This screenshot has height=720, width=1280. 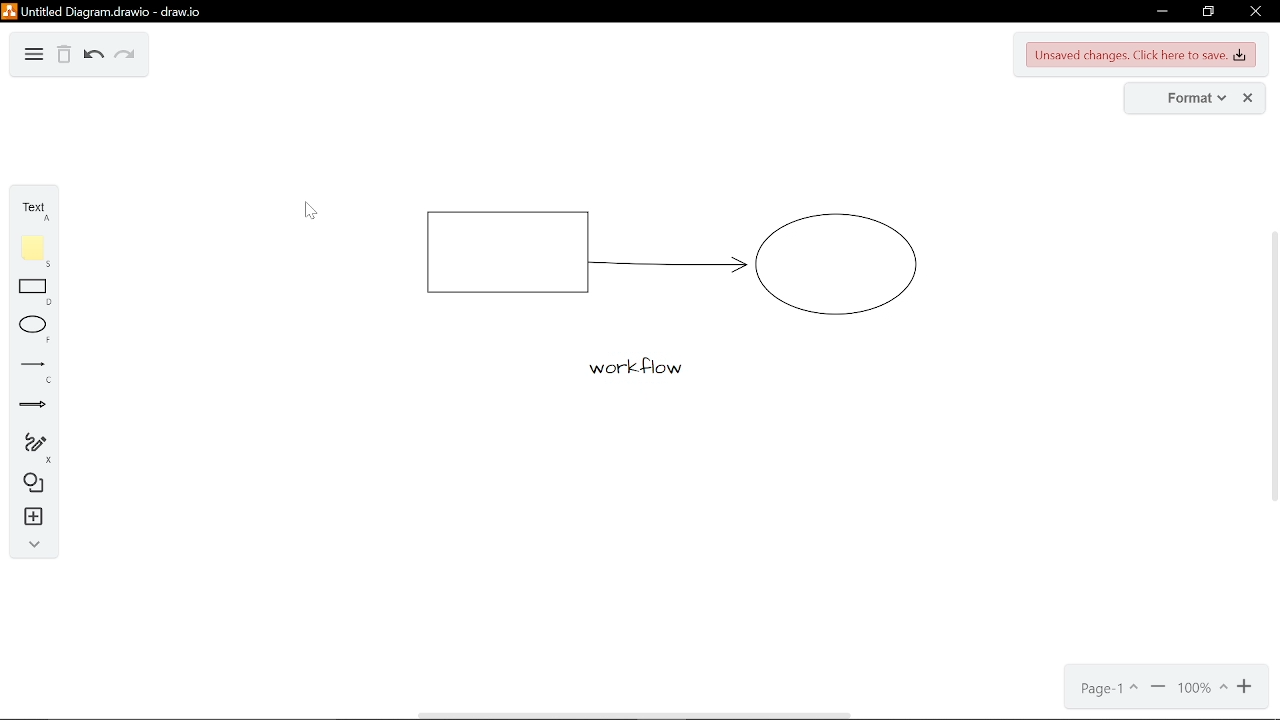 I want to click on collapse, so click(x=34, y=546).